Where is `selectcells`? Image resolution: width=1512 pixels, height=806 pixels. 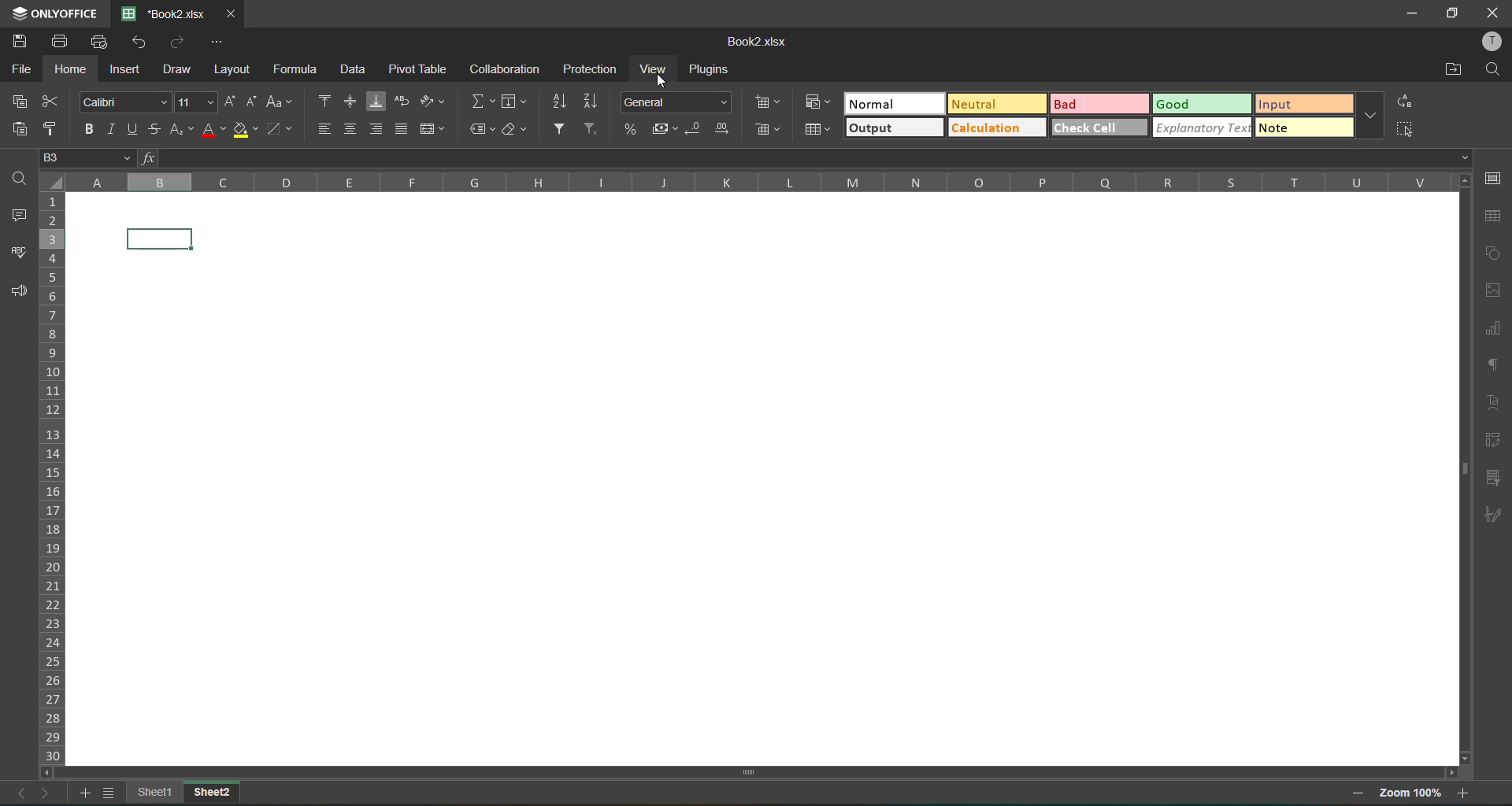 selectcells is located at coordinates (1404, 128).